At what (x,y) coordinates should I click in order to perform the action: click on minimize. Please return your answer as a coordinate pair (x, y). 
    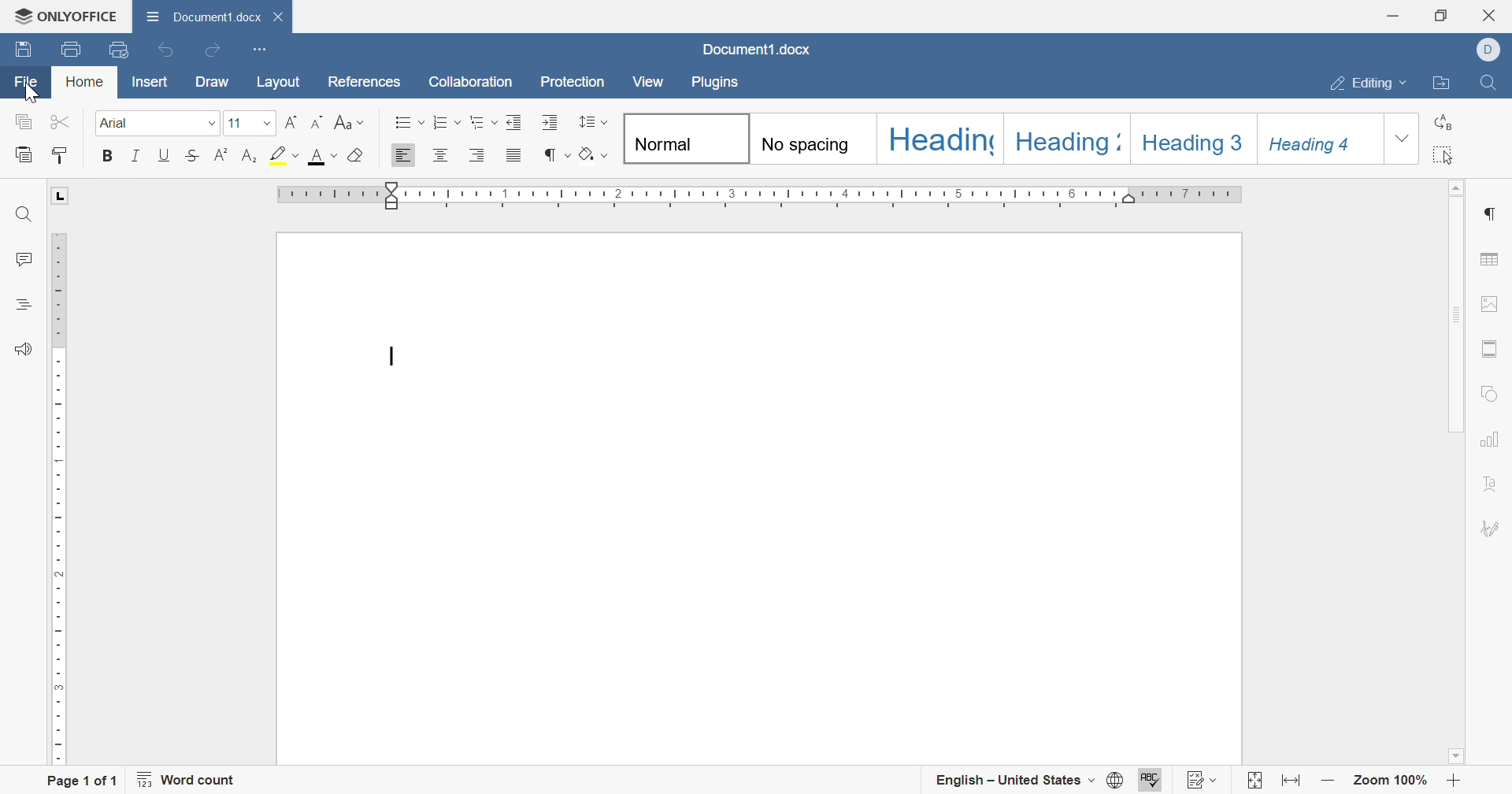
    Looking at the image, I should click on (1398, 13).